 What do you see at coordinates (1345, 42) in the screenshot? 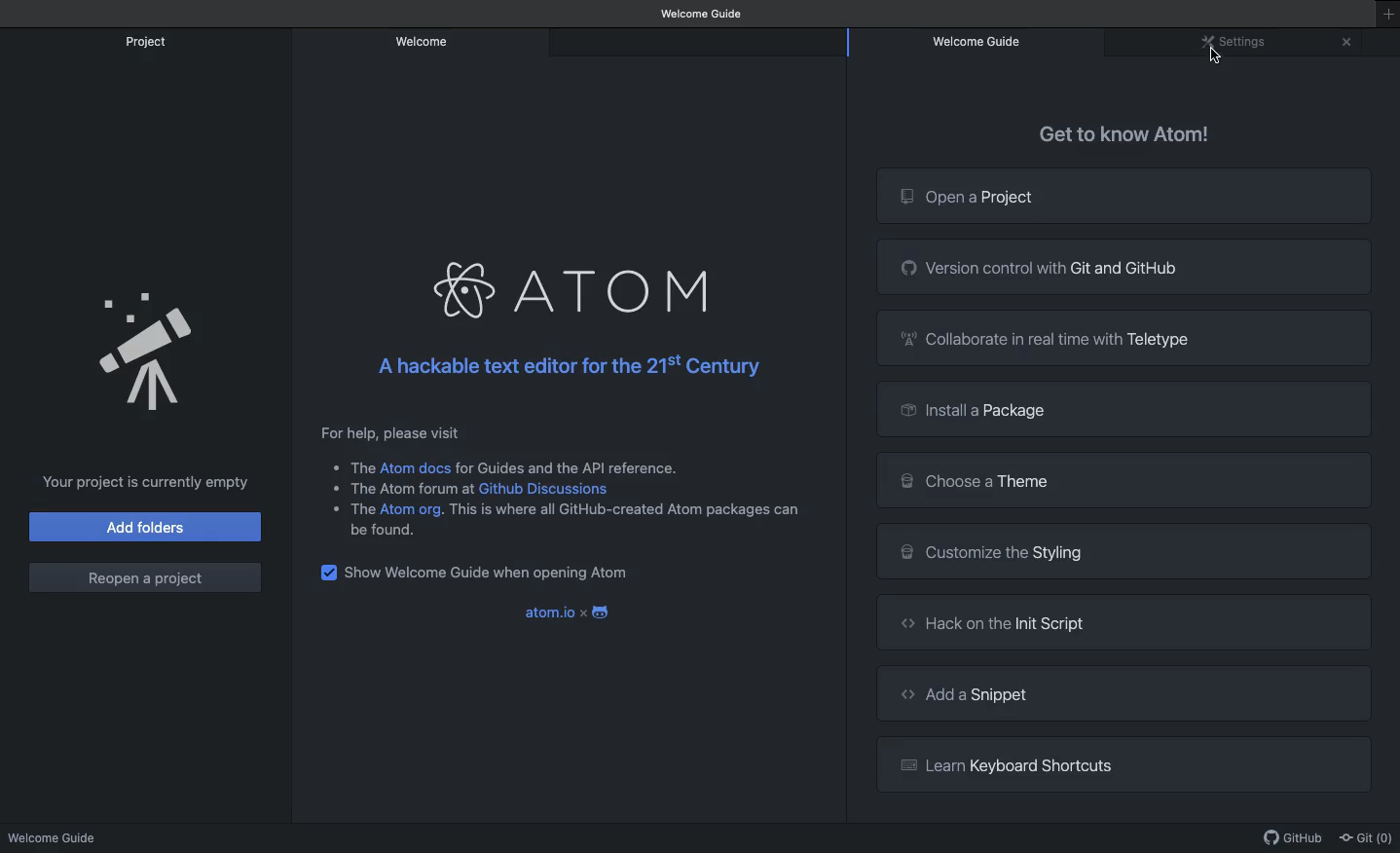
I see `Close` at bounding box center [1345, 42].